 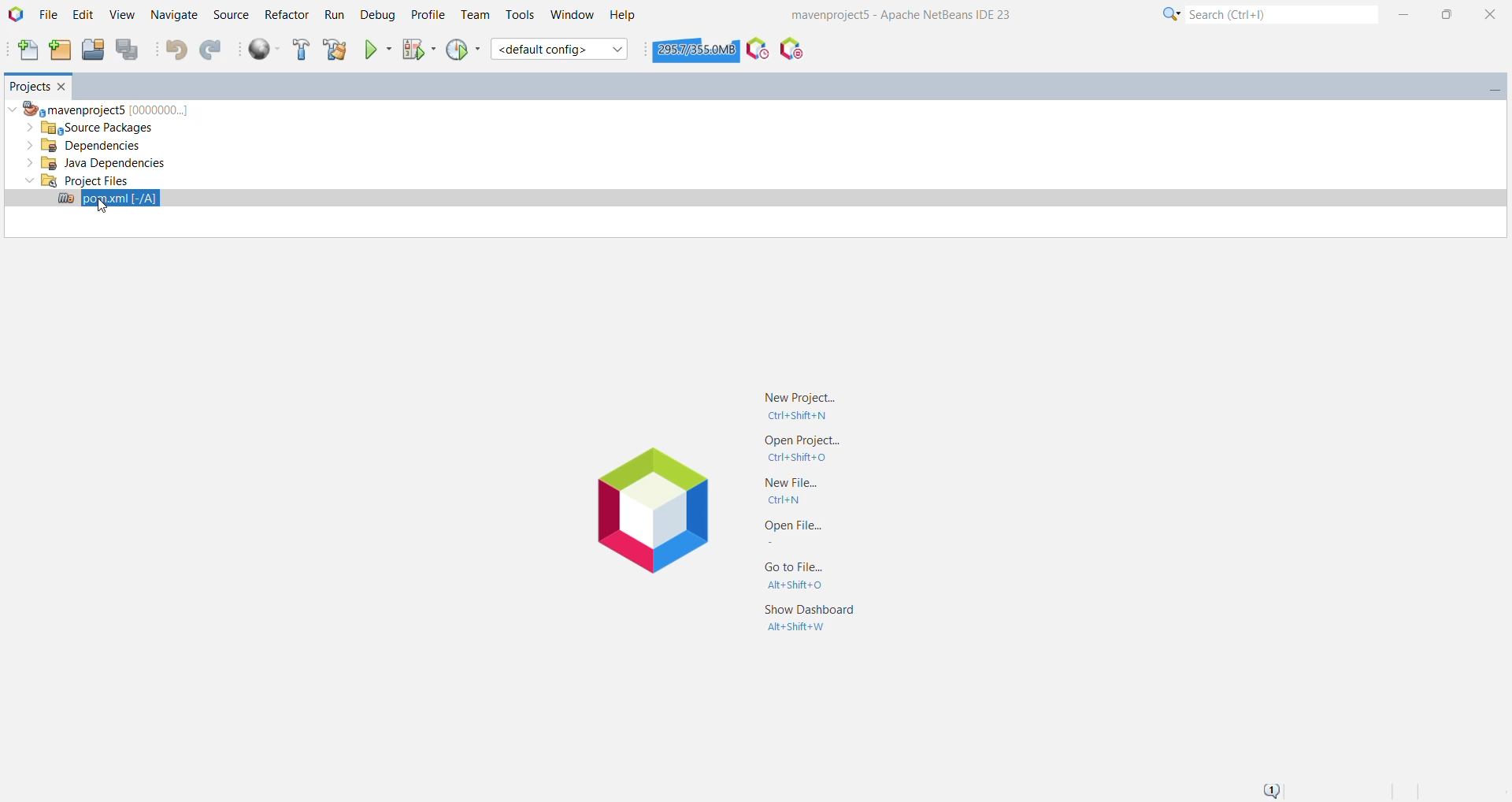 What do you see at coordinates (49, 16) in the screenshot?
I see `File` at bounding box center [49, 16].